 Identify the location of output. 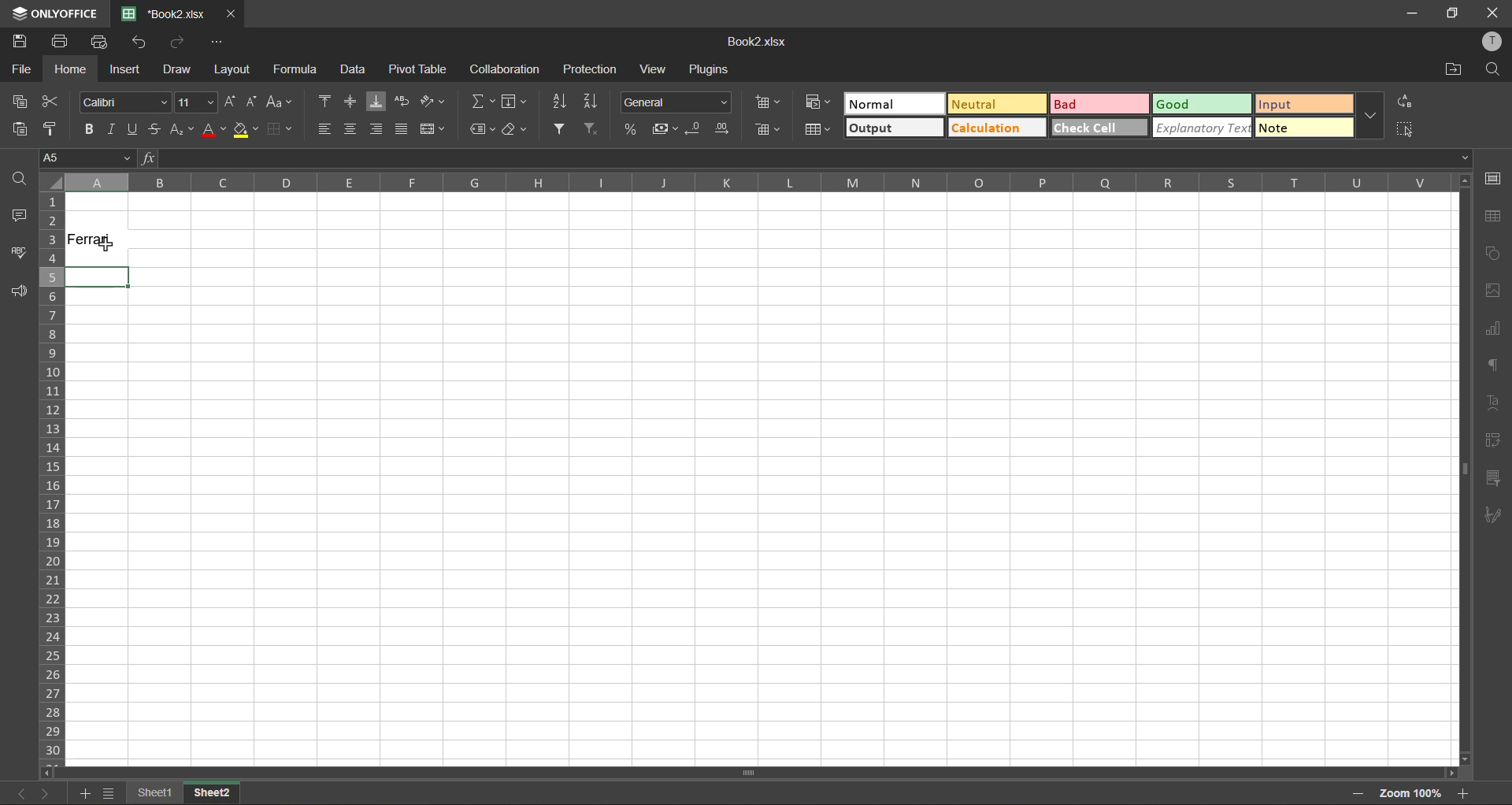
(892, 128).